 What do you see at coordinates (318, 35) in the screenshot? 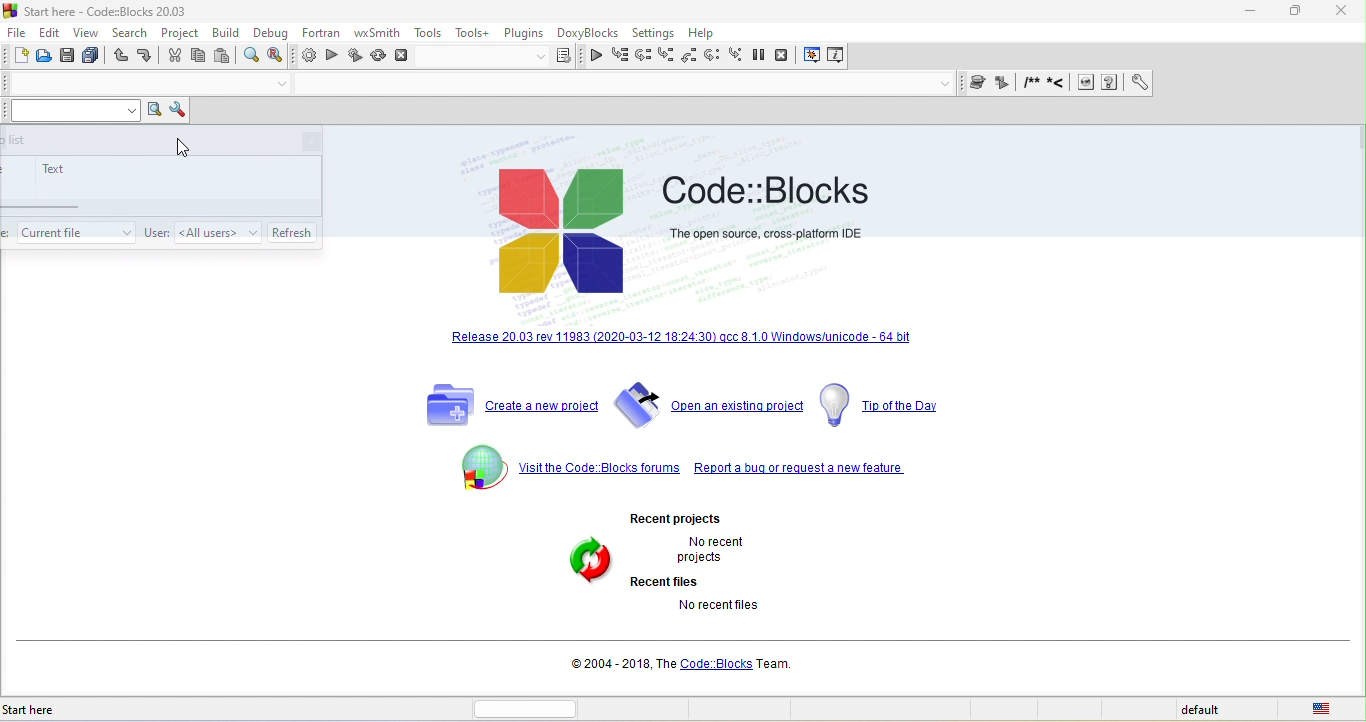
I see `fortan` at bounding box center [318, 35].